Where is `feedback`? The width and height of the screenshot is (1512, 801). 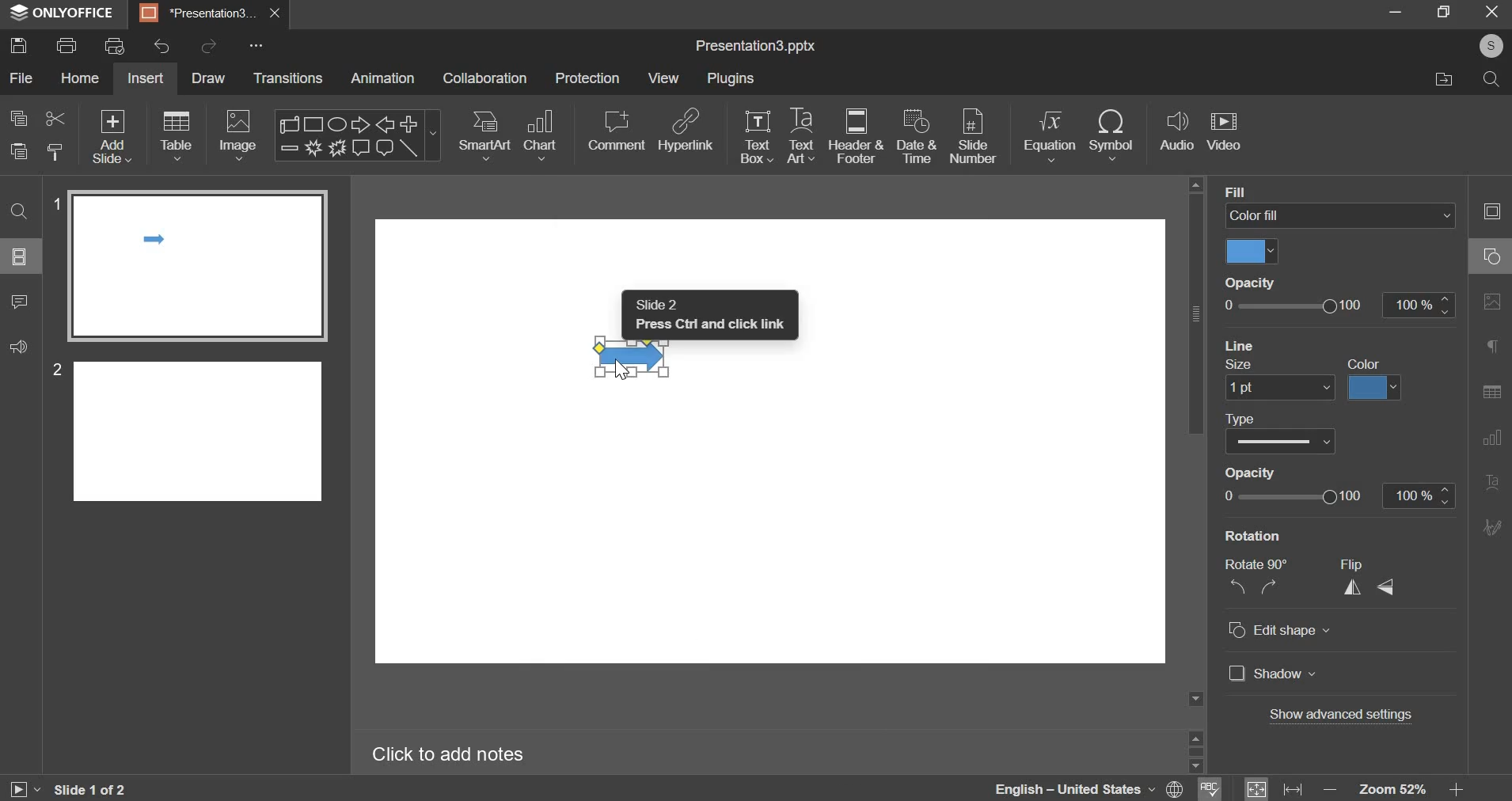 feedback is located at coordinates (19, 347).